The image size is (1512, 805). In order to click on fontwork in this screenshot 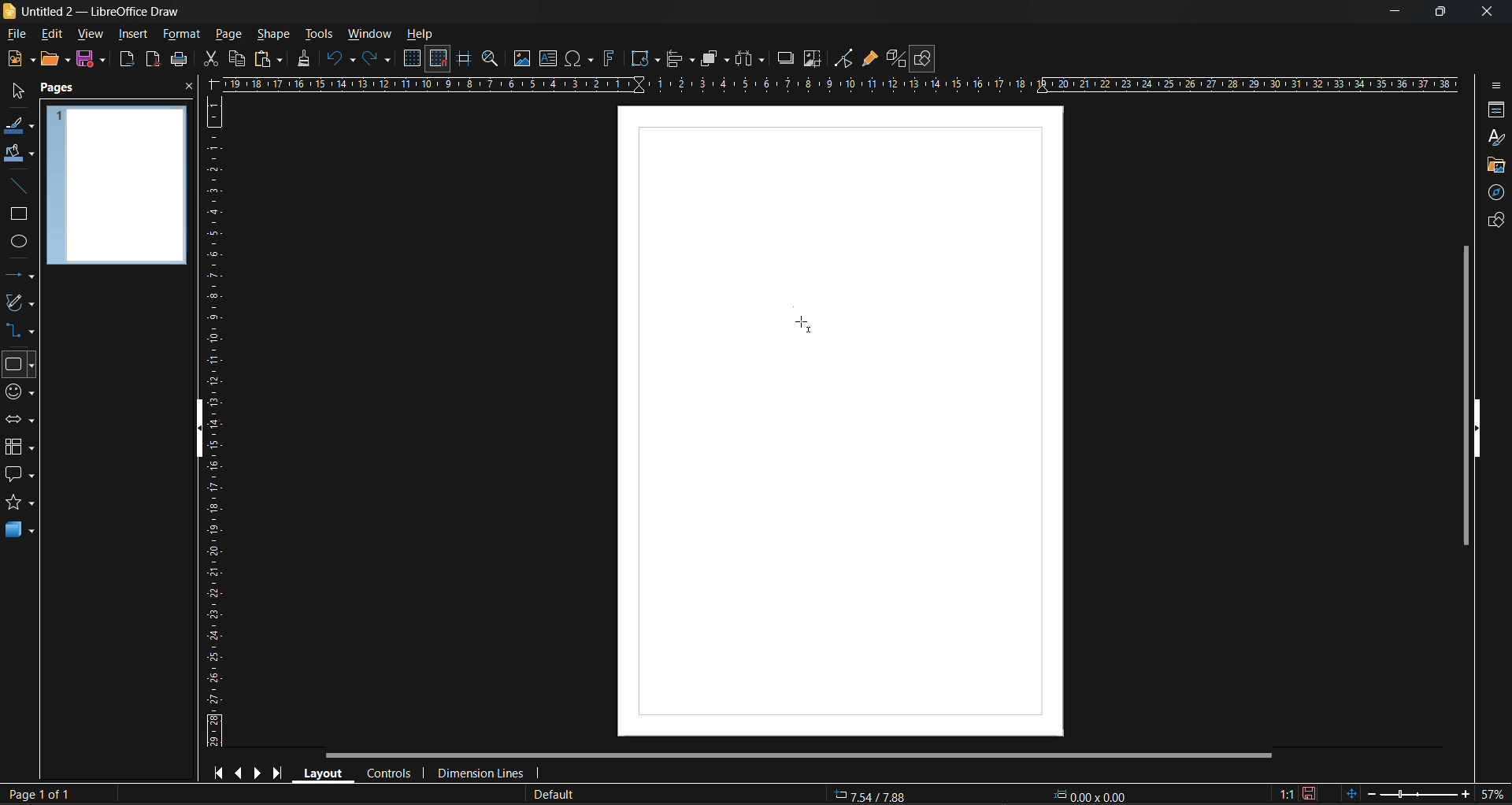, I will do `click(612, 57)`.